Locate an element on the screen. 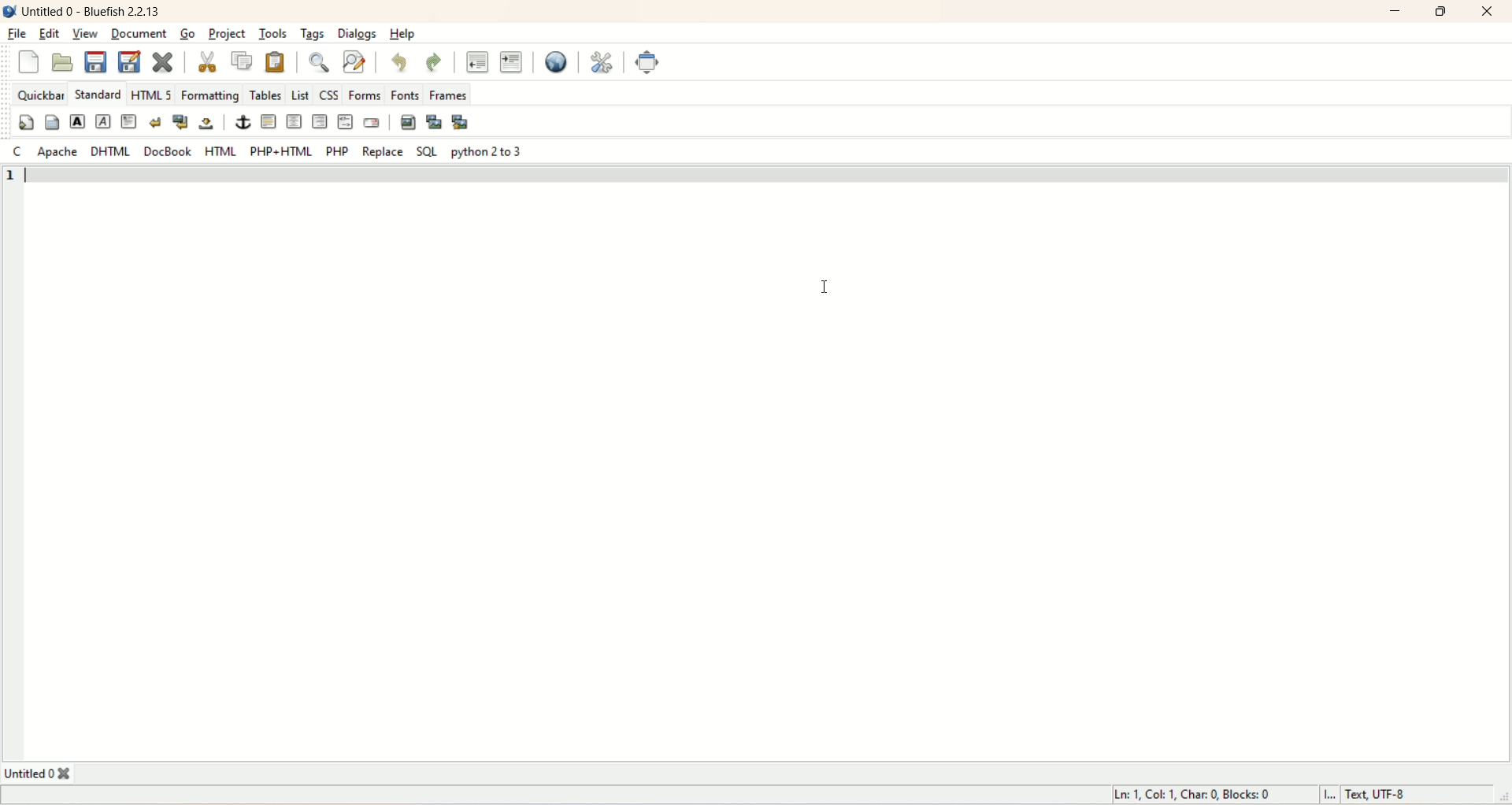 The image size is (1512, 805). DHTML is located at coordinates (111, 152).